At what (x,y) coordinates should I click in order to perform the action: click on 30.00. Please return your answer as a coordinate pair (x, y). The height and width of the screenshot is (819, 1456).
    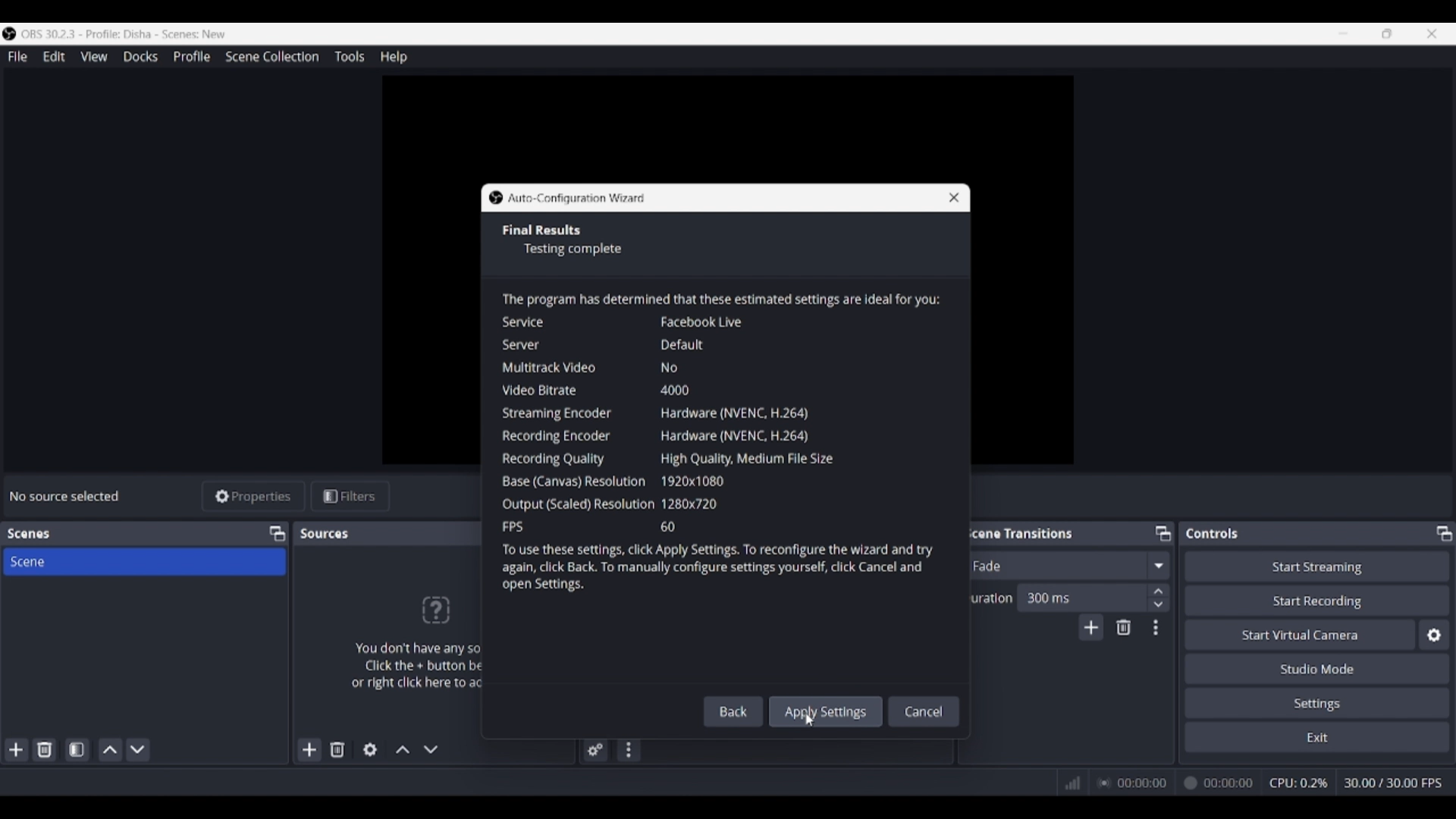
    Looking at the image, I should click on (1394, 782).